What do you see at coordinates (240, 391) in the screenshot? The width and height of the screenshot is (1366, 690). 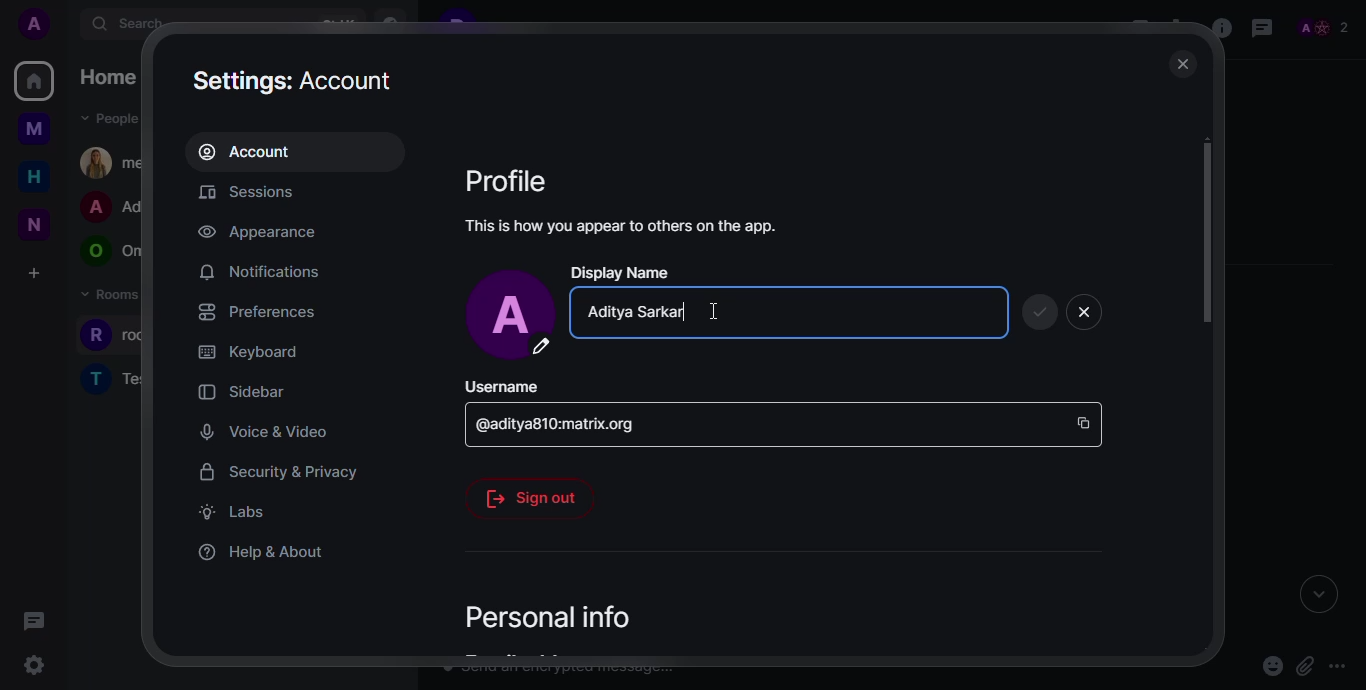 I see `sidebar` at bounding box center [240, 391].